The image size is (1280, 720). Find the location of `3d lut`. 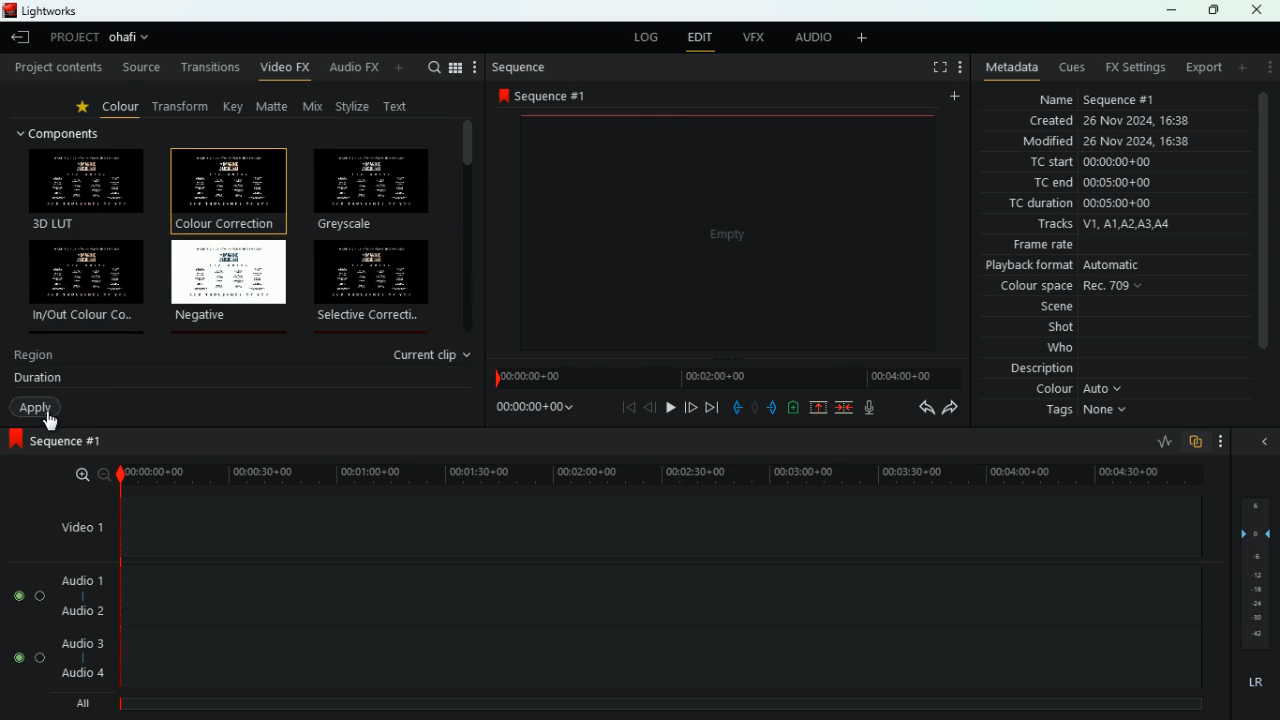

3d lut is located at coordinates (88, 189).